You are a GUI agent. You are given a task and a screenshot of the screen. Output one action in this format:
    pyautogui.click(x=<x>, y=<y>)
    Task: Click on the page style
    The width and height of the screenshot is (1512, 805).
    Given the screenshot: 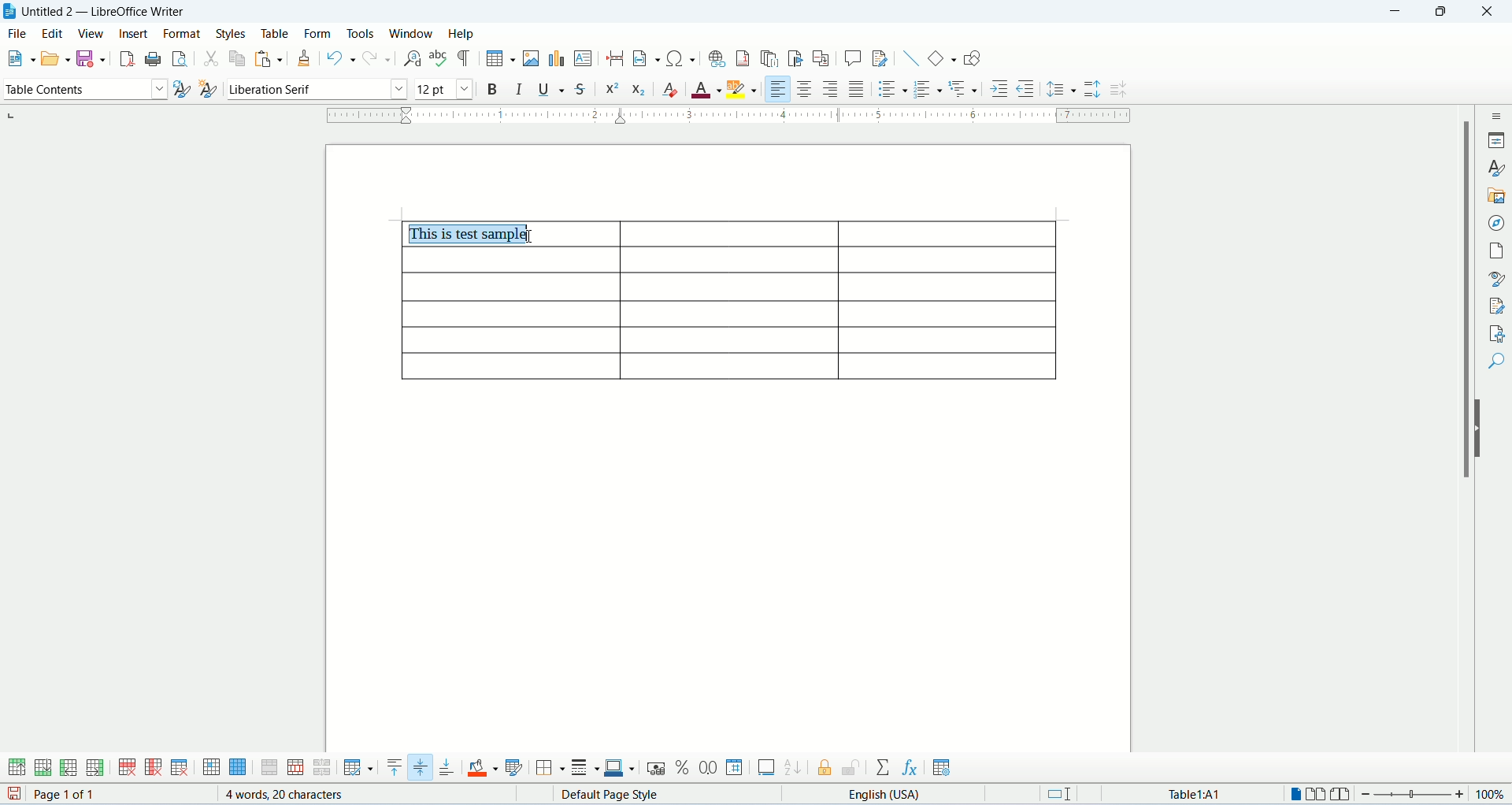 What is the action you would take?
    pyautogui.click(x=621, y=795)
    